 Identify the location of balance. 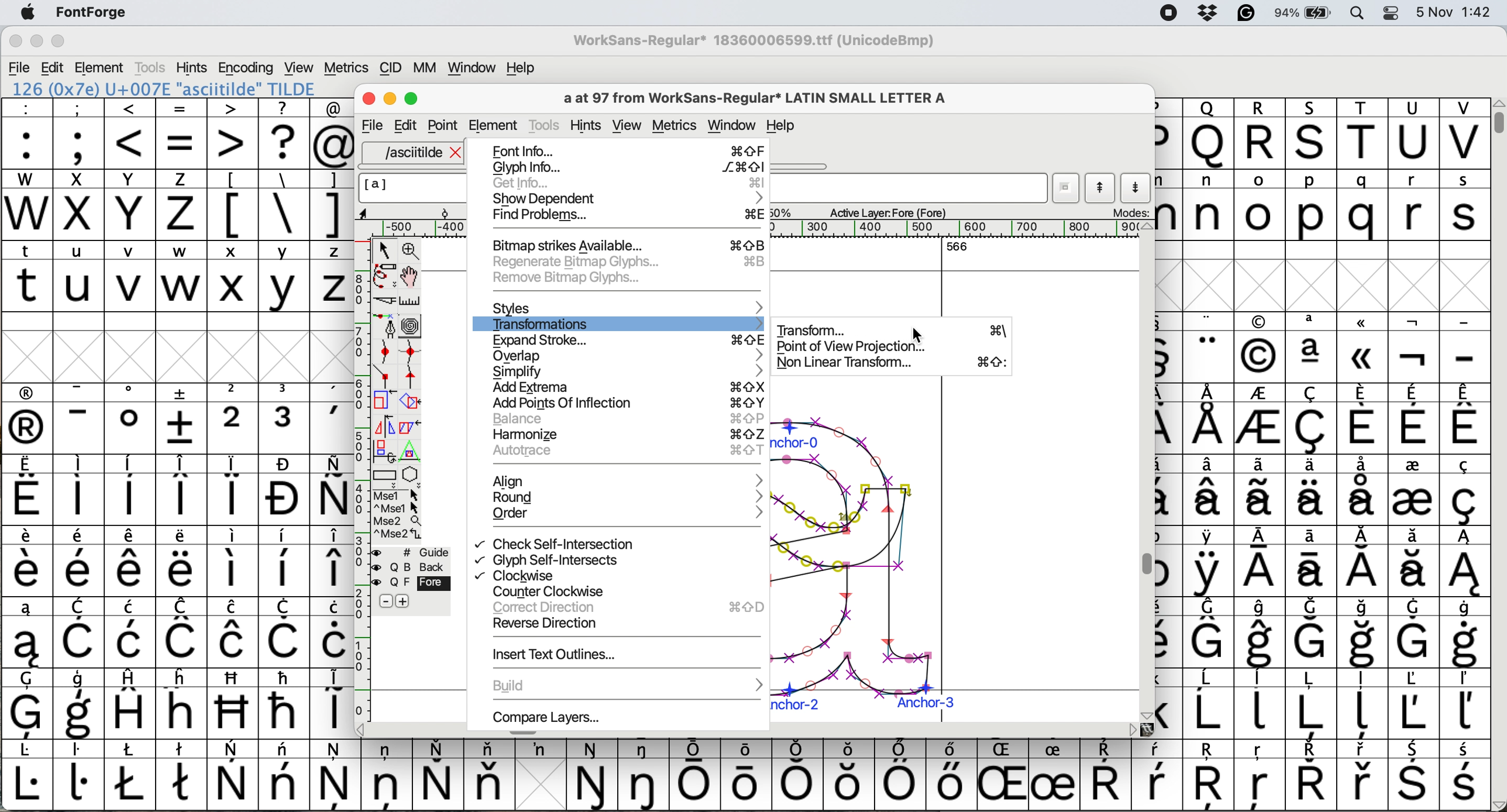
(628, 418).